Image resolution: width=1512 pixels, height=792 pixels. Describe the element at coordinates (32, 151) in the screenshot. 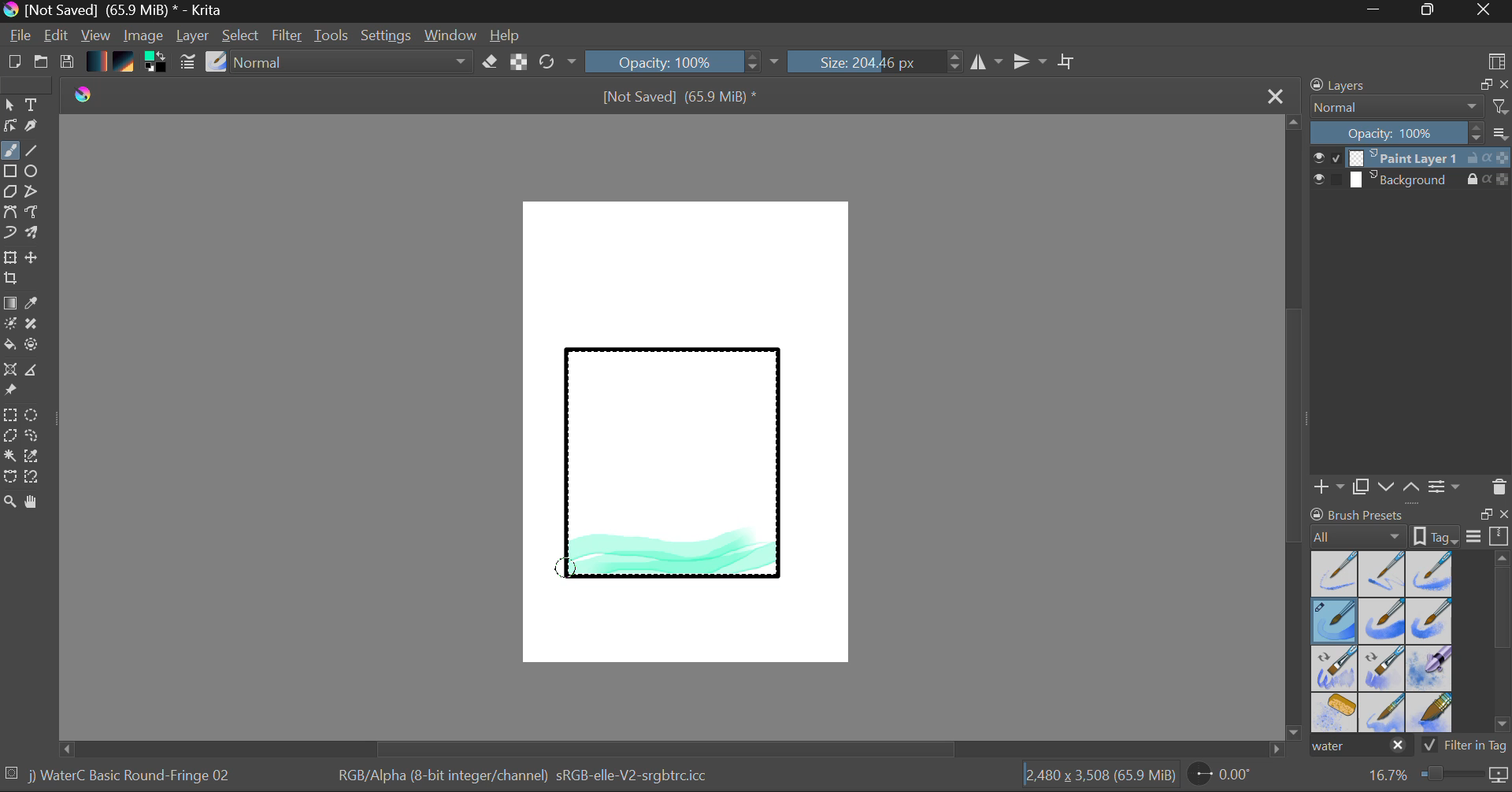

I see `Line` at that location.